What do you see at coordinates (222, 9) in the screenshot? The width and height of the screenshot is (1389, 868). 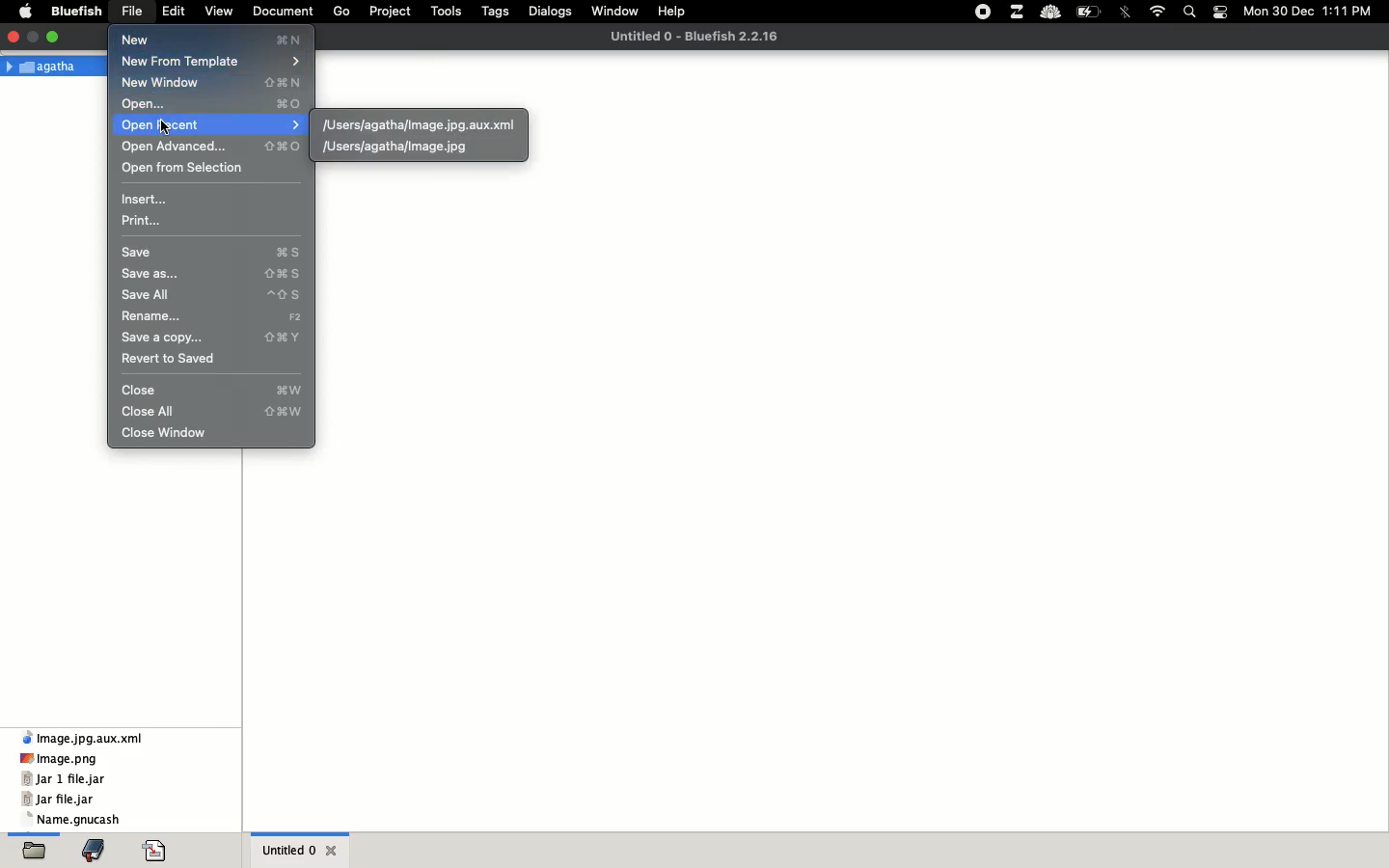 I see `view` at bounding box center [222, 9].